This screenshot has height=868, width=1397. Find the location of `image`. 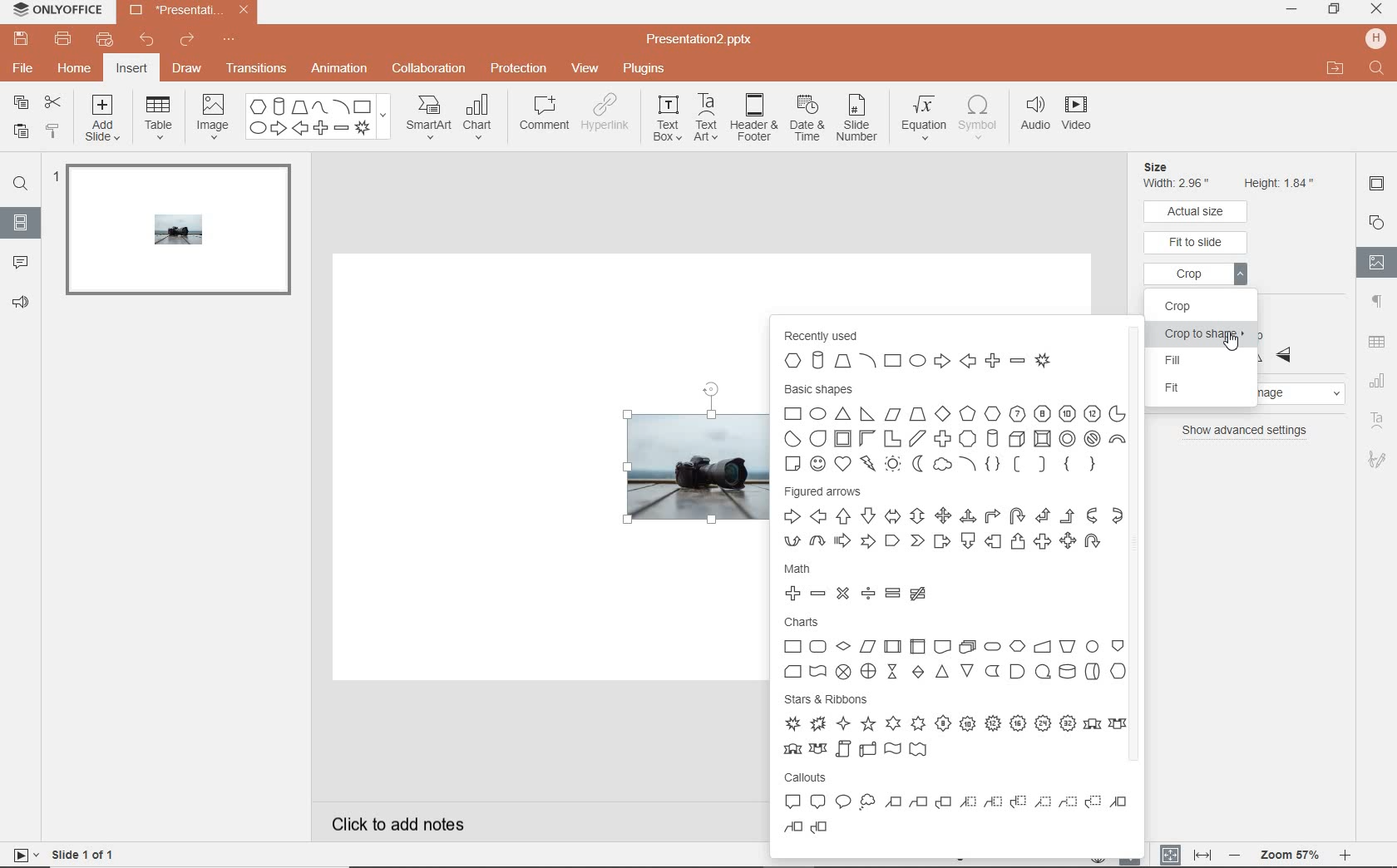

image is located at coordinates (212, 116).